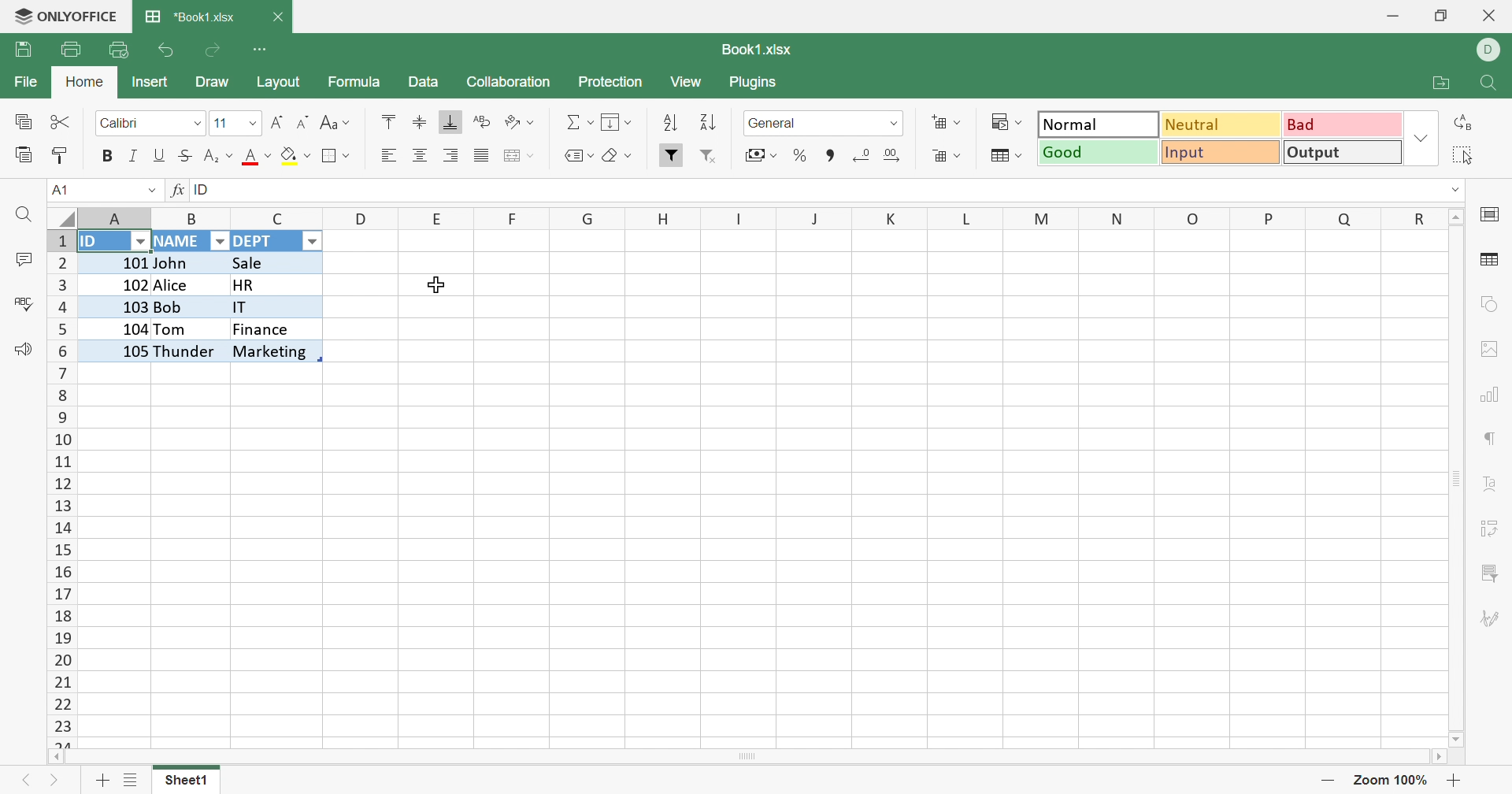 The image size is (1512, 794). I want to click on Open file location, so click(1434, 85).